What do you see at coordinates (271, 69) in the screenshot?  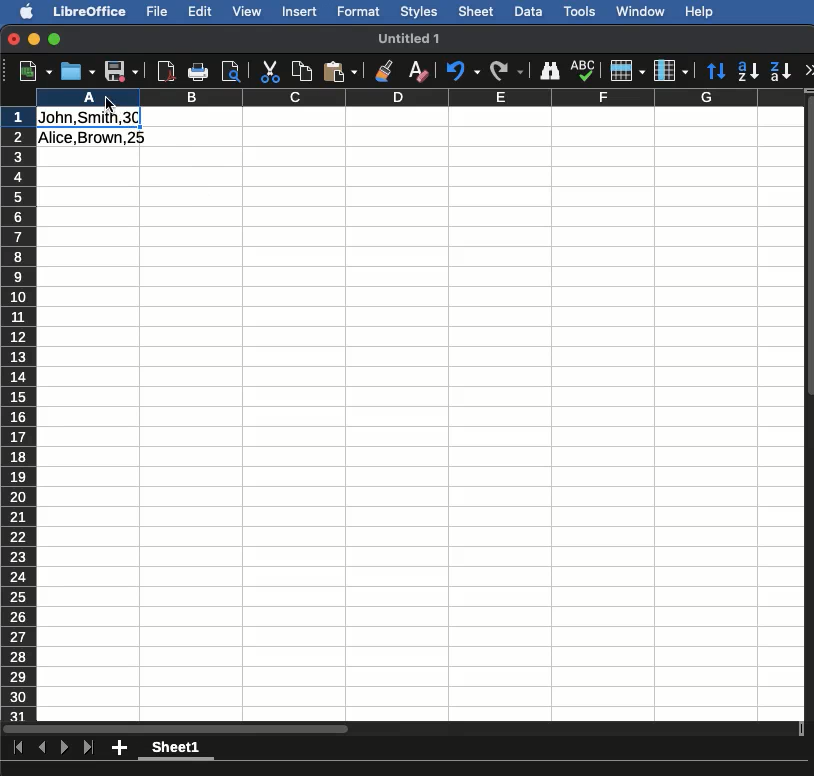 I see `Cut` at bounding box center [271, 69].